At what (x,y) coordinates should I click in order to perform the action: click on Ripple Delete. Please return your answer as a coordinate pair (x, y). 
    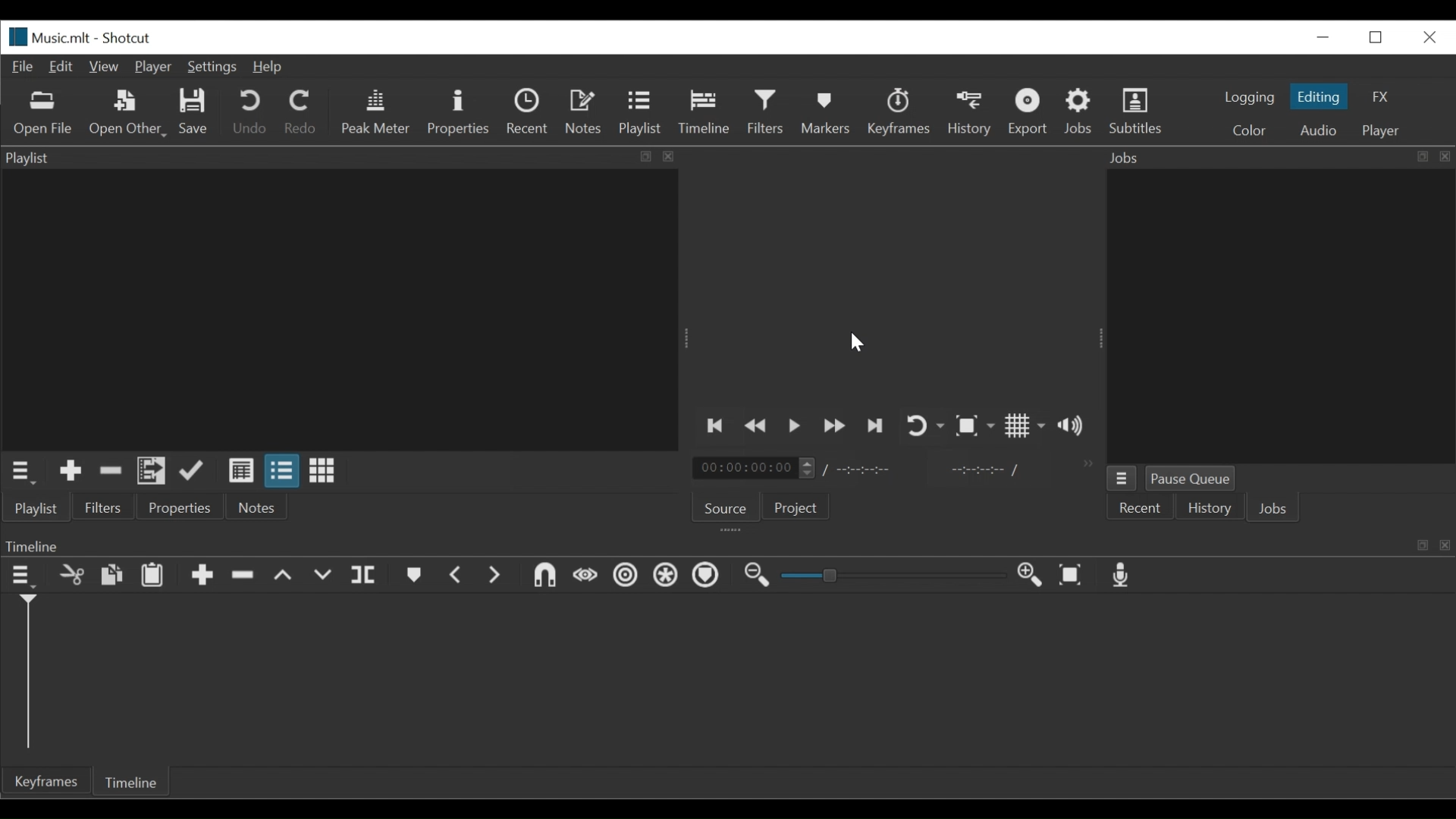
    Looking at the image, I should click on (247, 576).